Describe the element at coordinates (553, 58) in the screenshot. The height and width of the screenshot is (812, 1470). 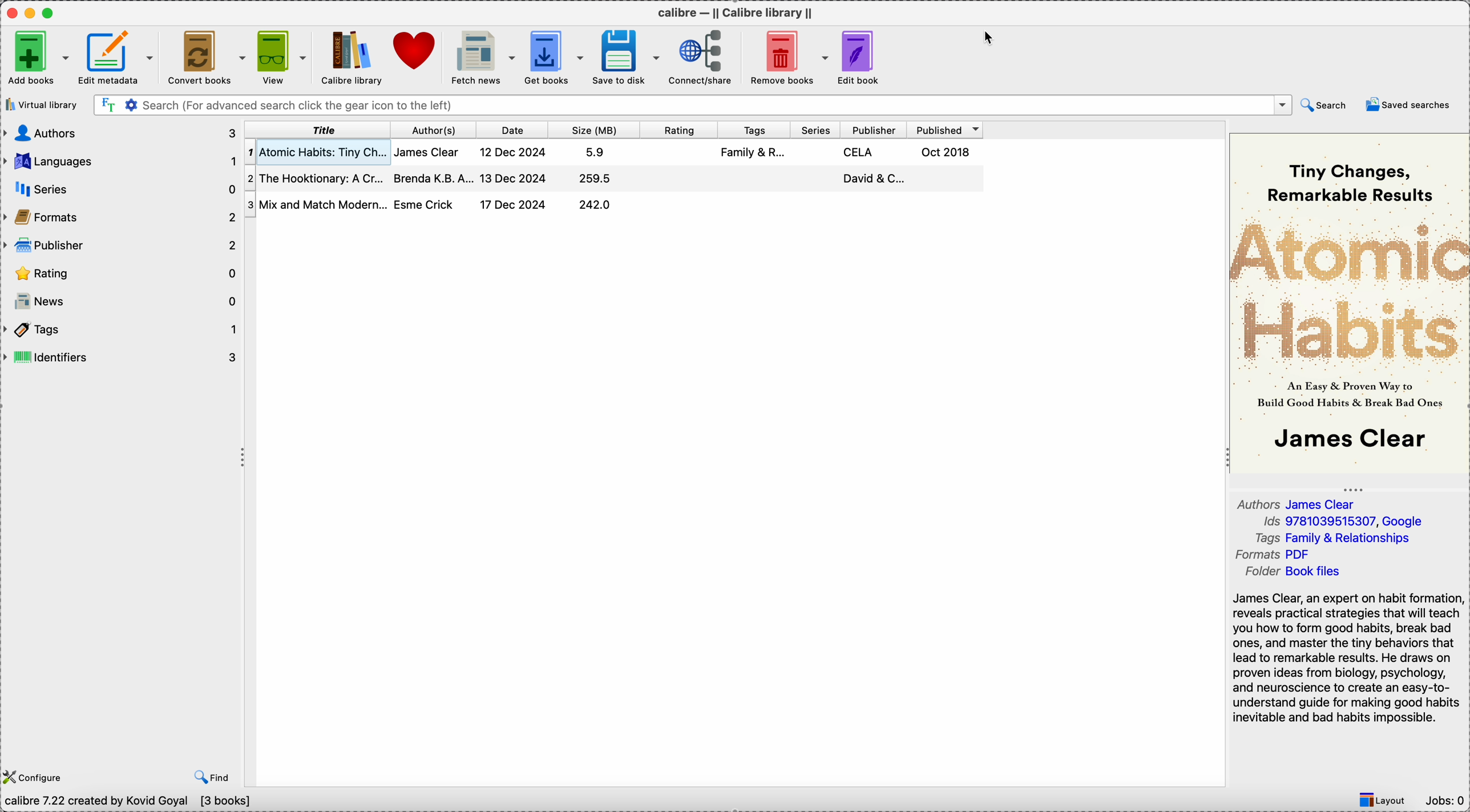
I see `get books` at that location.